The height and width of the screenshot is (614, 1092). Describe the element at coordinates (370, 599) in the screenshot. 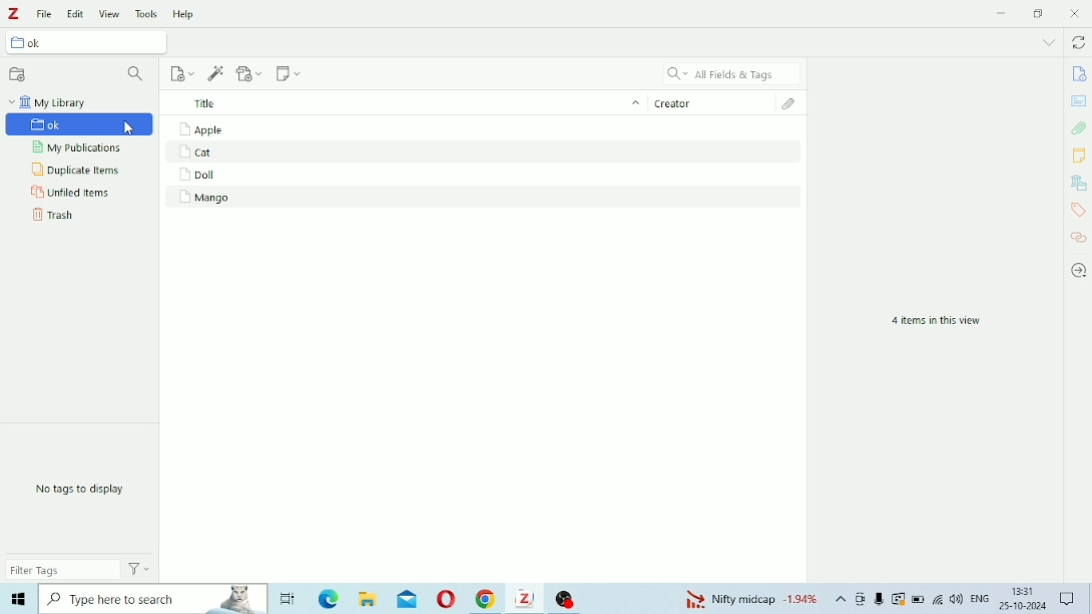

I see `File Explorer` at that location.